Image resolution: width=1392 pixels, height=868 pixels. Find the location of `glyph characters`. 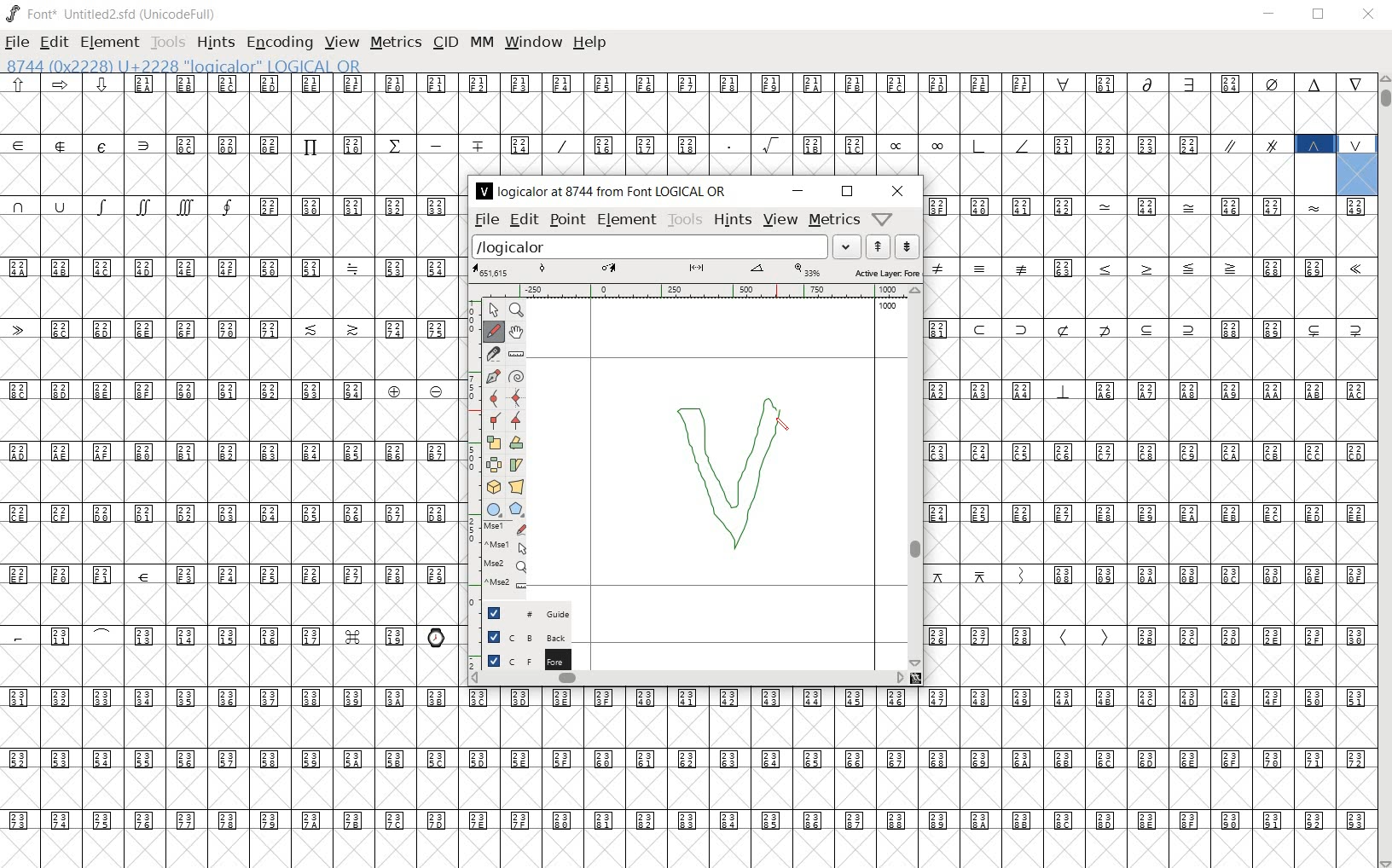

glyph characters is located at coordinates (1151, 501).